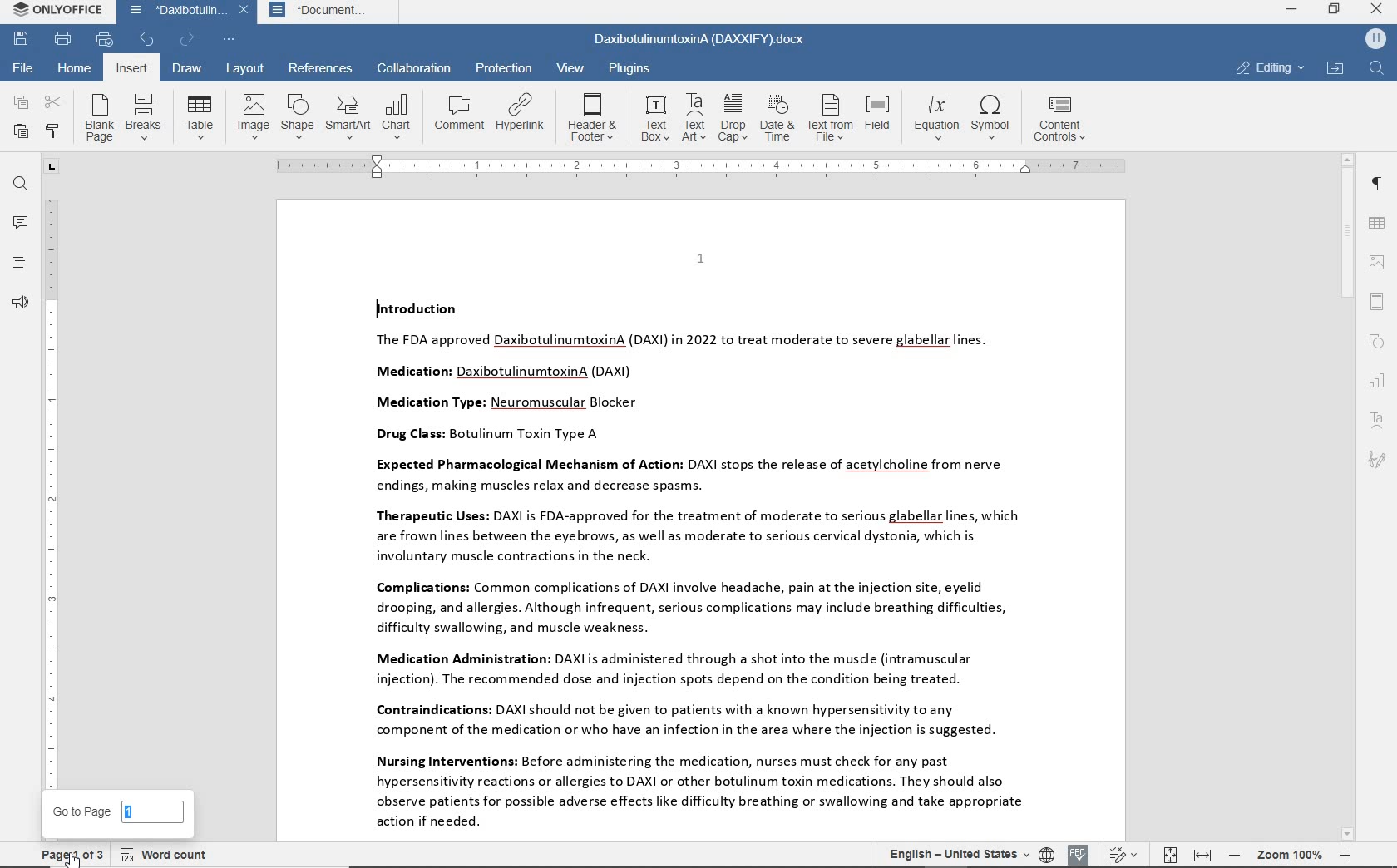 This screenshot has height=868, width=1397. What do you see at coordinates (1376, 419) in the screenshot?
I see `textart` at bounding box center [1376, 419].